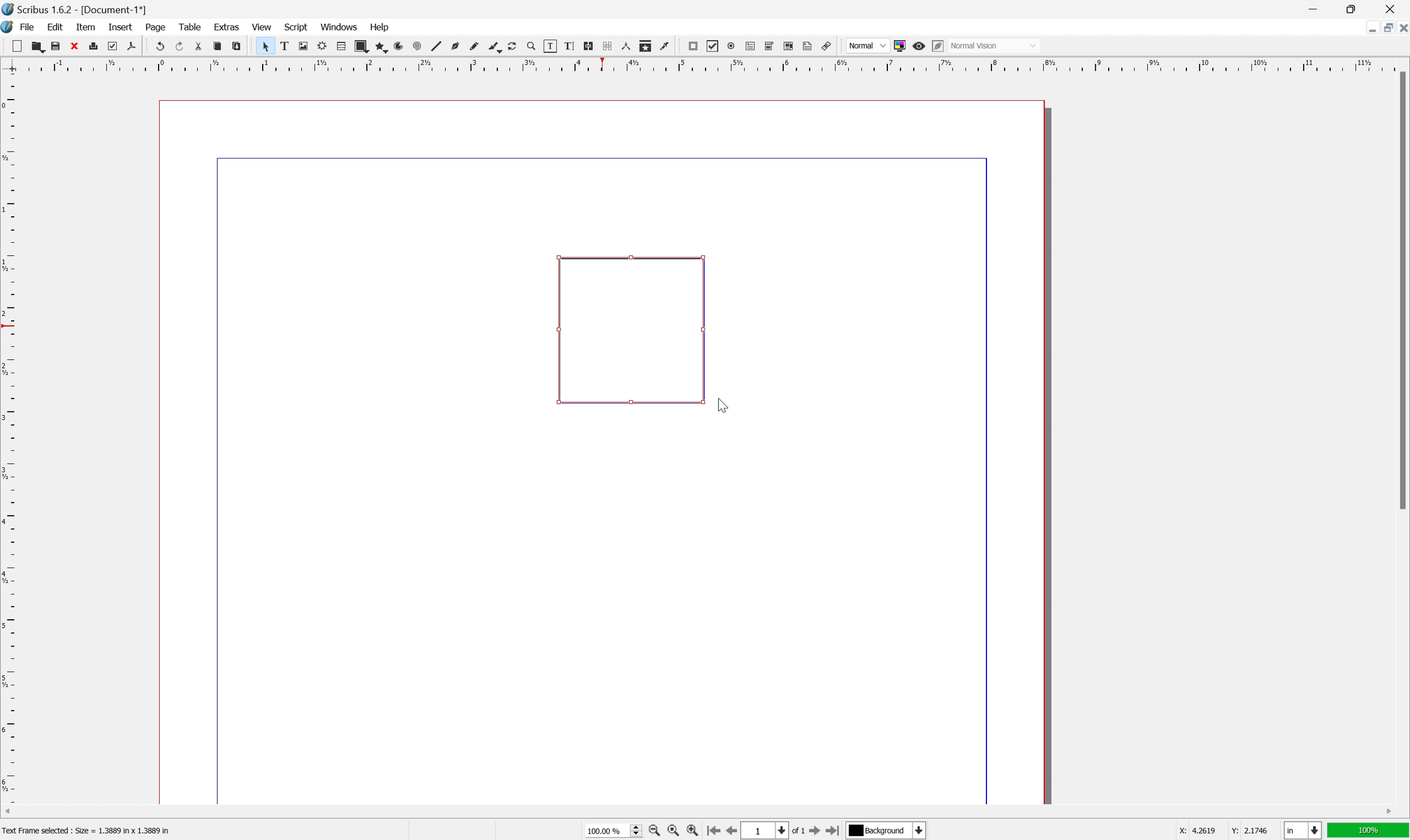 Image resolution: width=1410 pixels, height=840 pixels. I want to click on edit contents of frame, so click(550, 46).